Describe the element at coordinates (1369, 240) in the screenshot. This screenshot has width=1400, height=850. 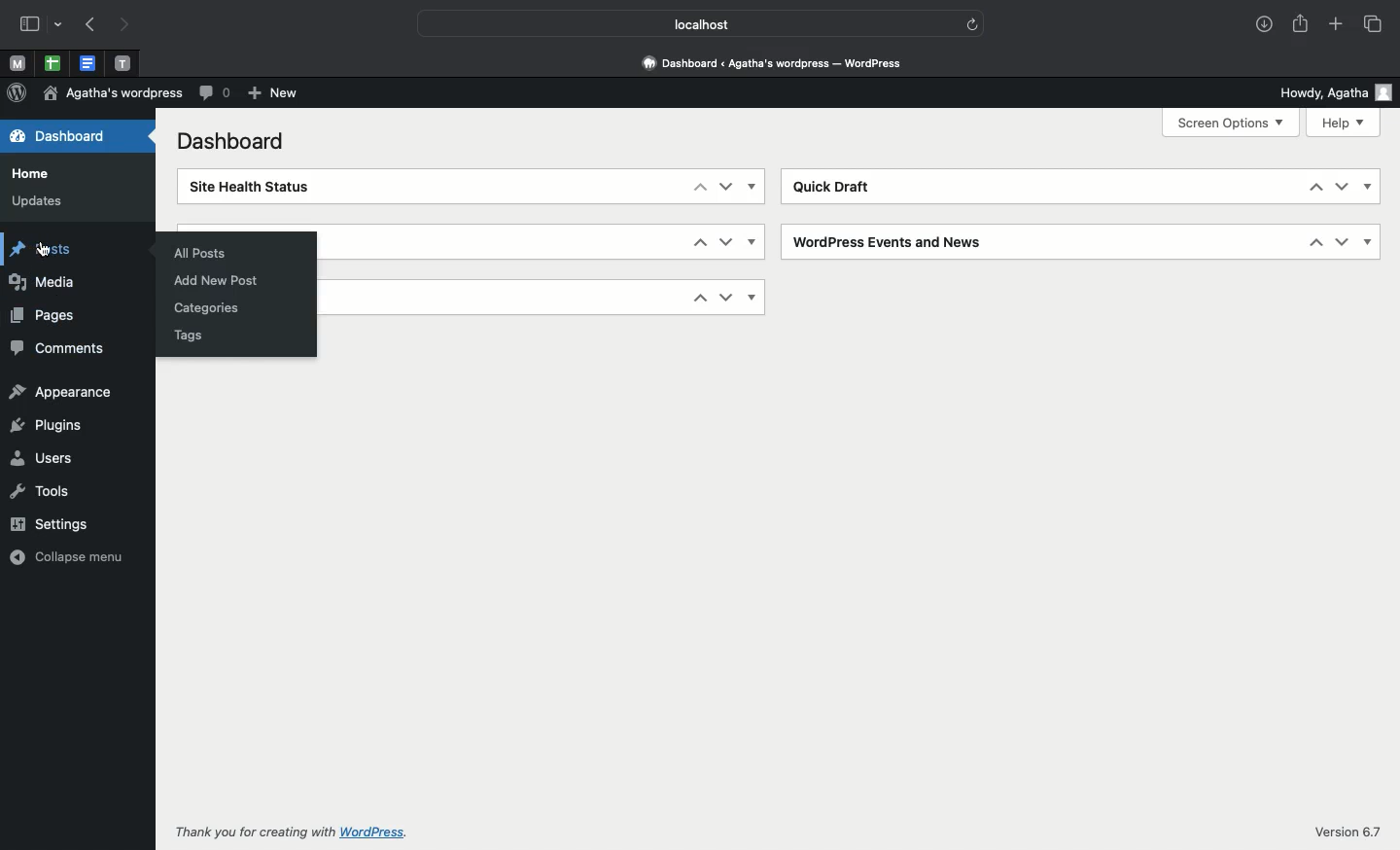
I see `Show` at that location.